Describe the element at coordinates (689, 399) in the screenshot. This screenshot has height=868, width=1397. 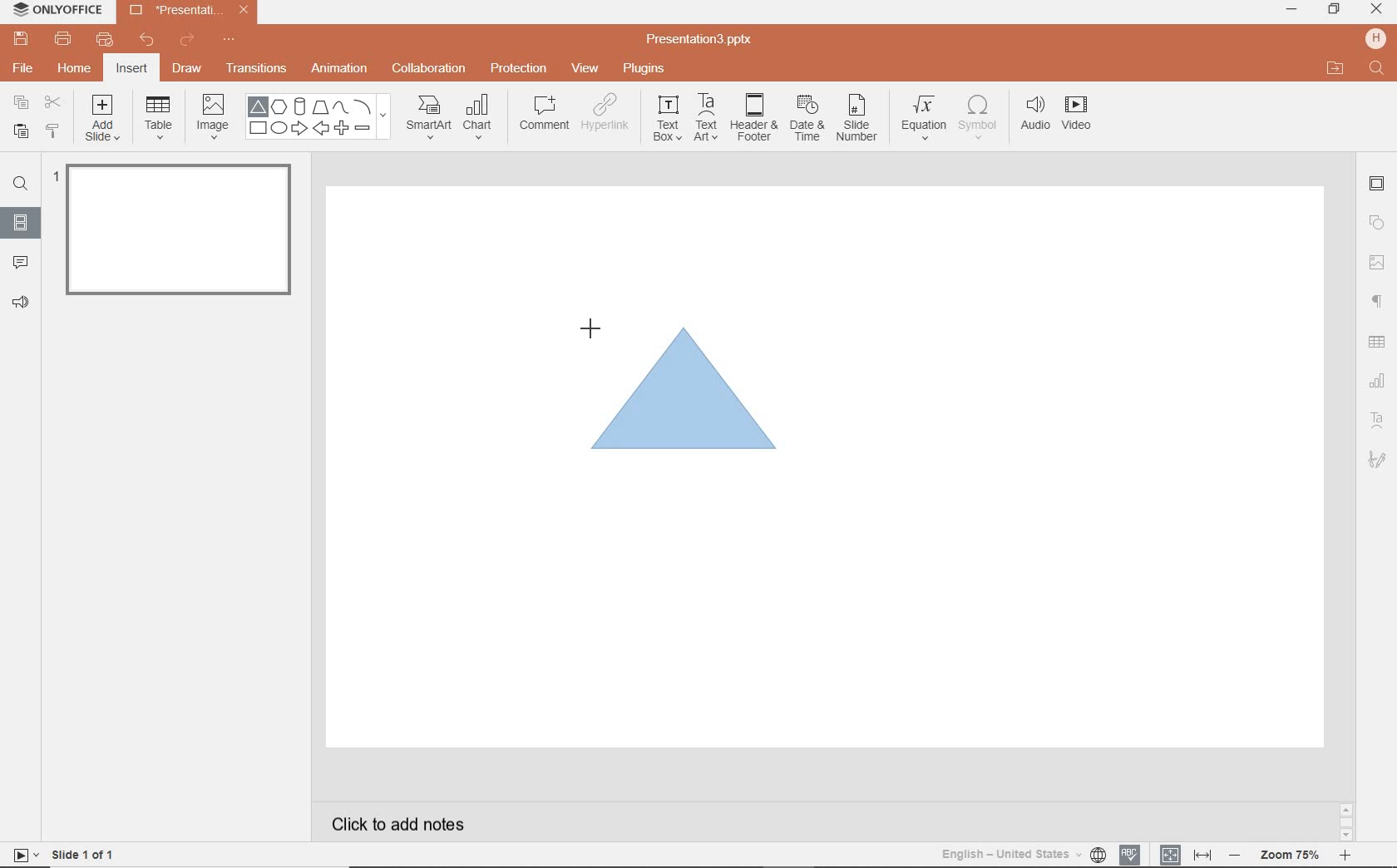
I see `shape` at that location.